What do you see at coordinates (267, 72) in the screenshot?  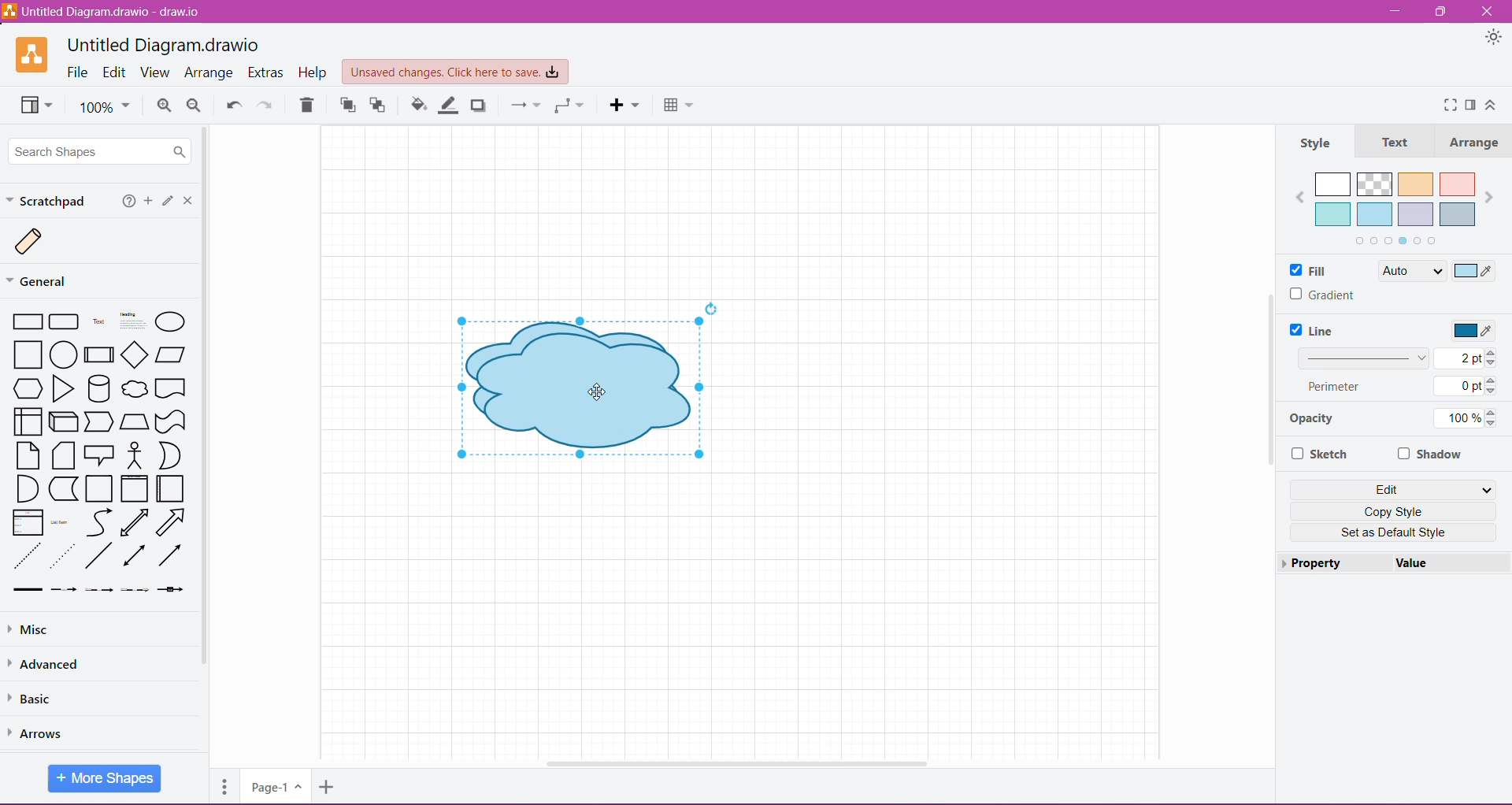 I see `Extras` at bounding box center [267, 72].